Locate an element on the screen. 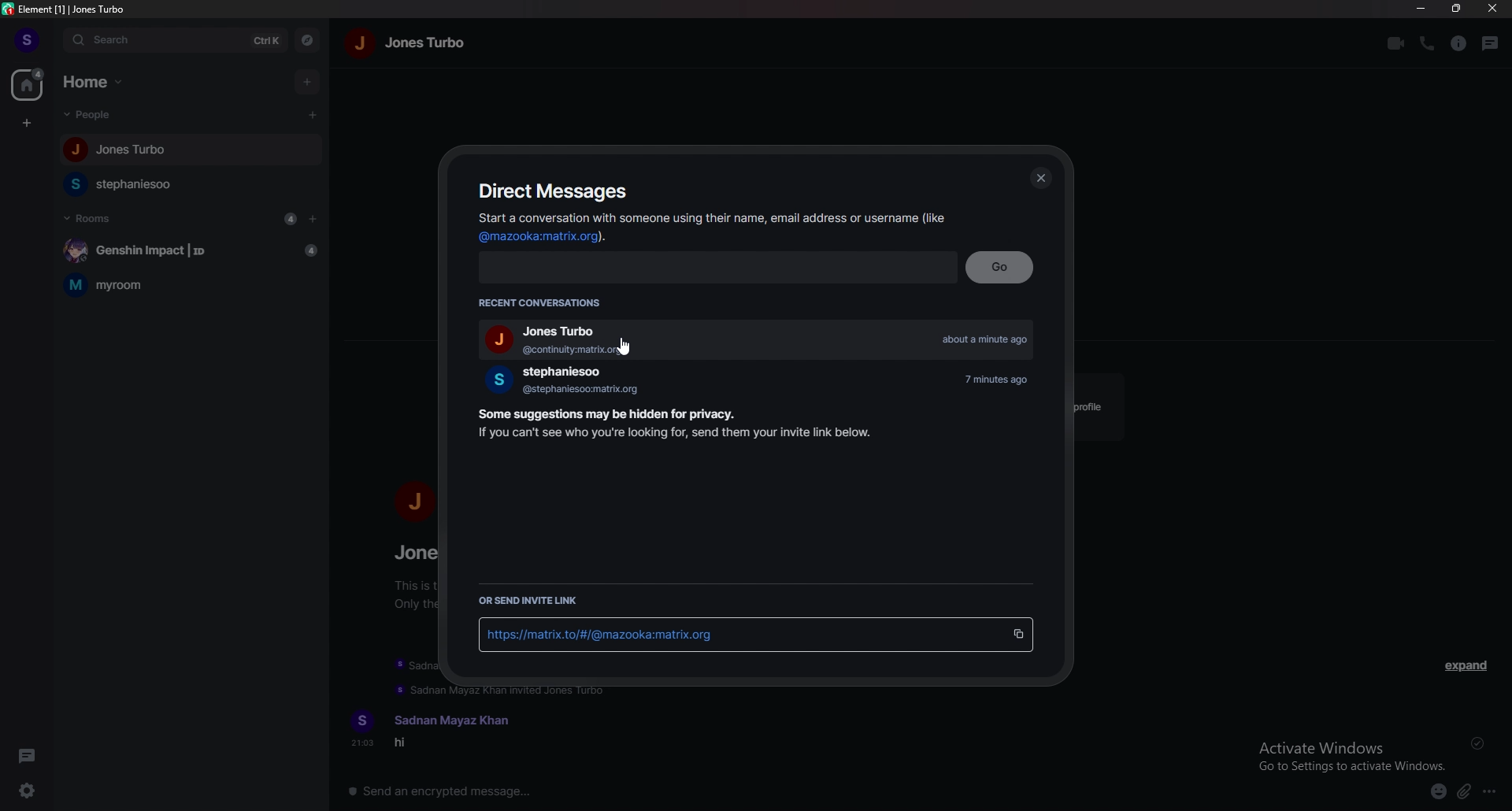  s is located at coordinates (362, 717).